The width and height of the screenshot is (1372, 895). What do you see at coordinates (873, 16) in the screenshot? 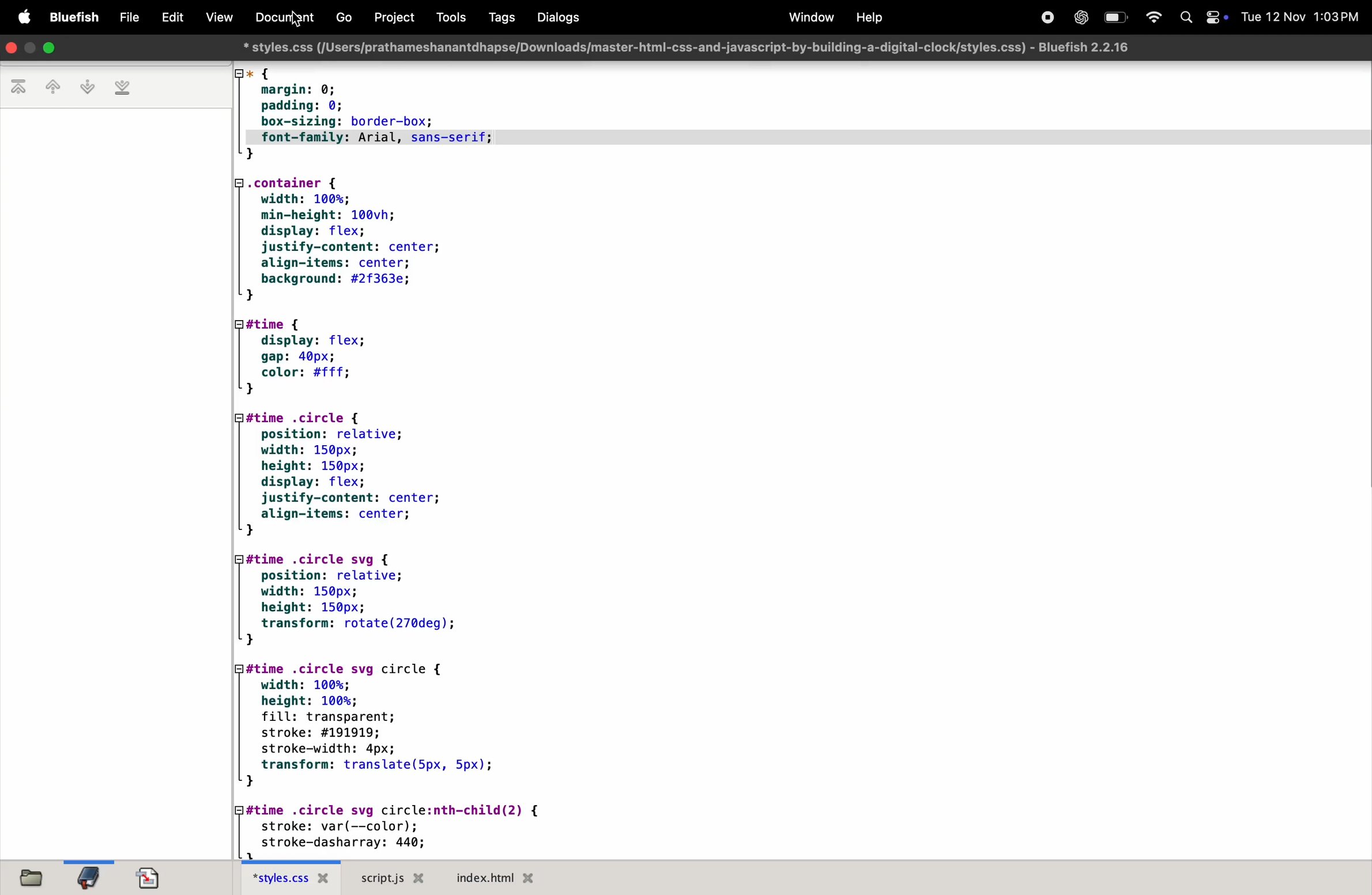
I see `Help` at bounding box center [873, 16].